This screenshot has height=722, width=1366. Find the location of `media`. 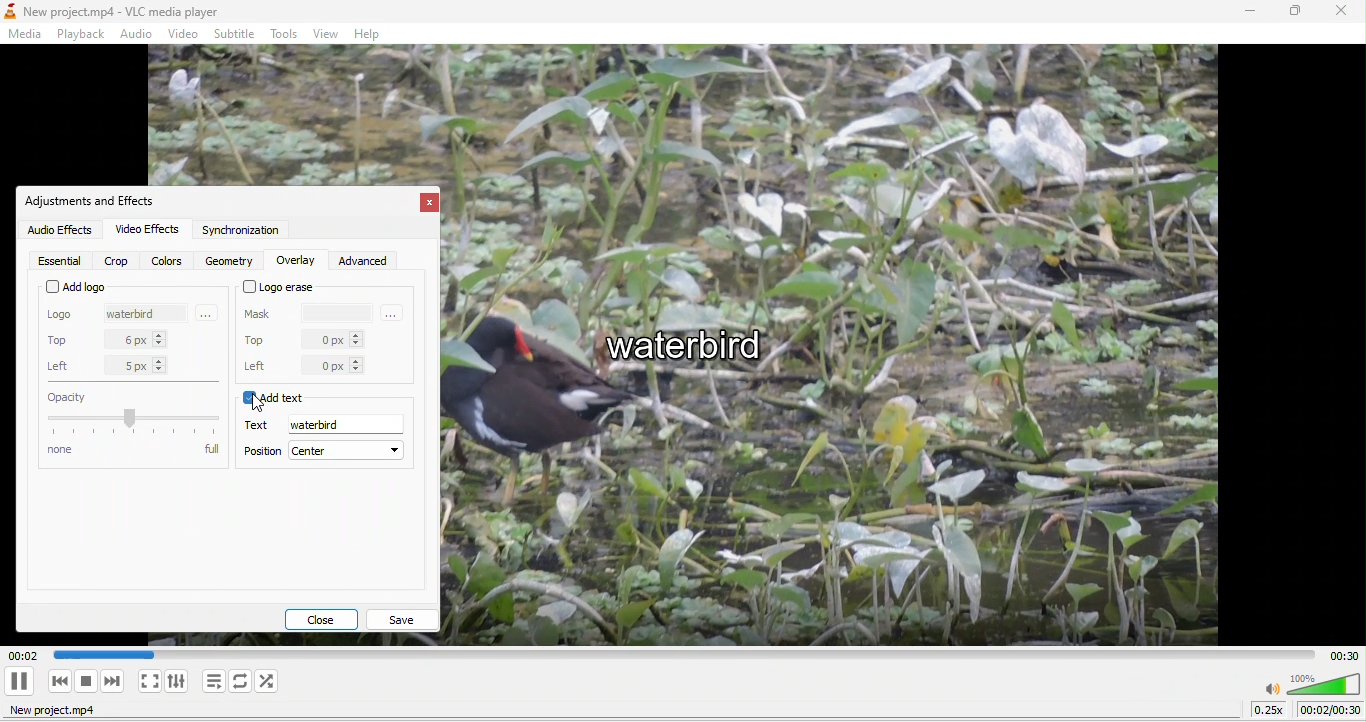

media is located at coordinates (24, 36).